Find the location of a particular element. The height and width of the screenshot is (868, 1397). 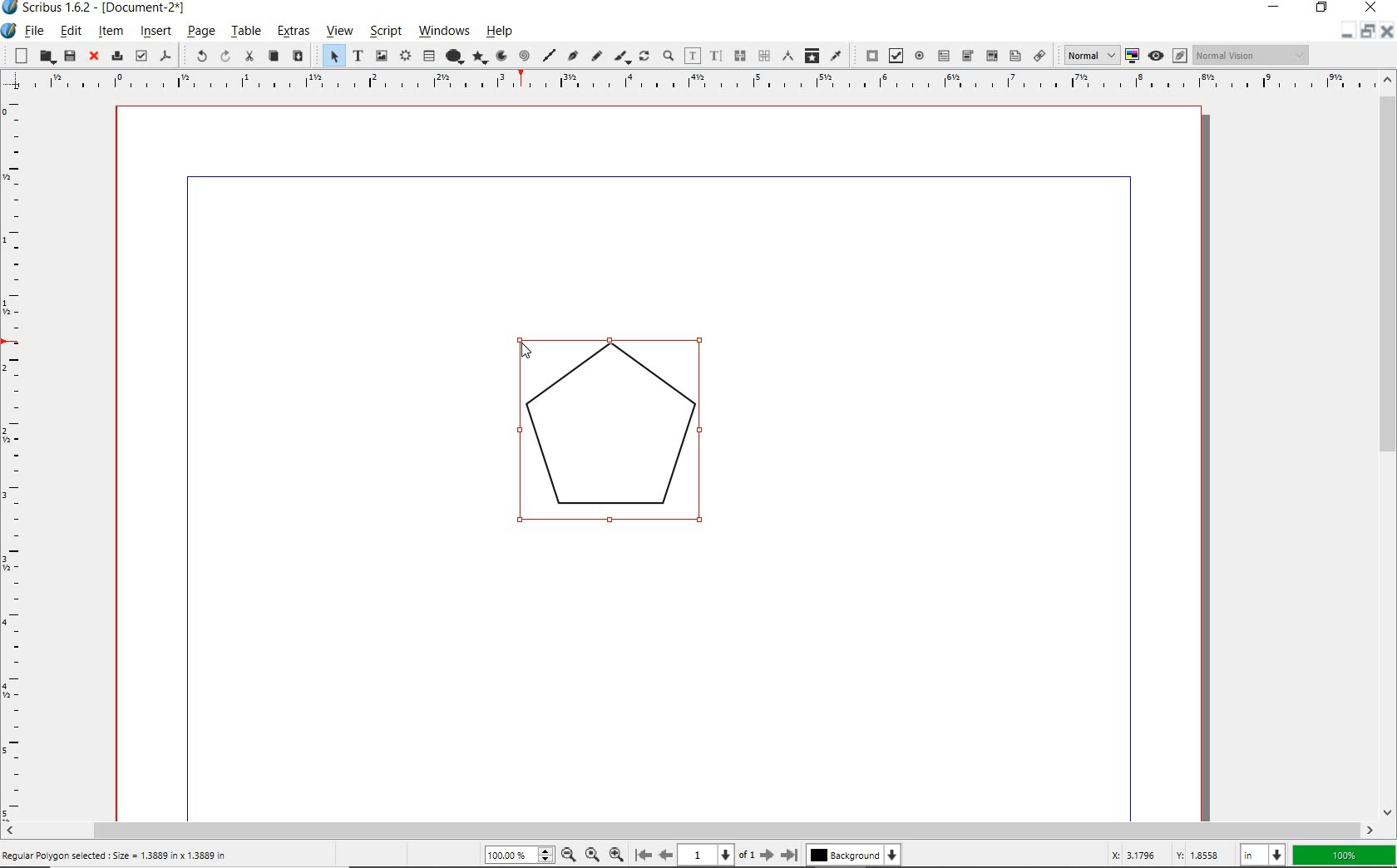

restore is located at coordinates (1323, 9).